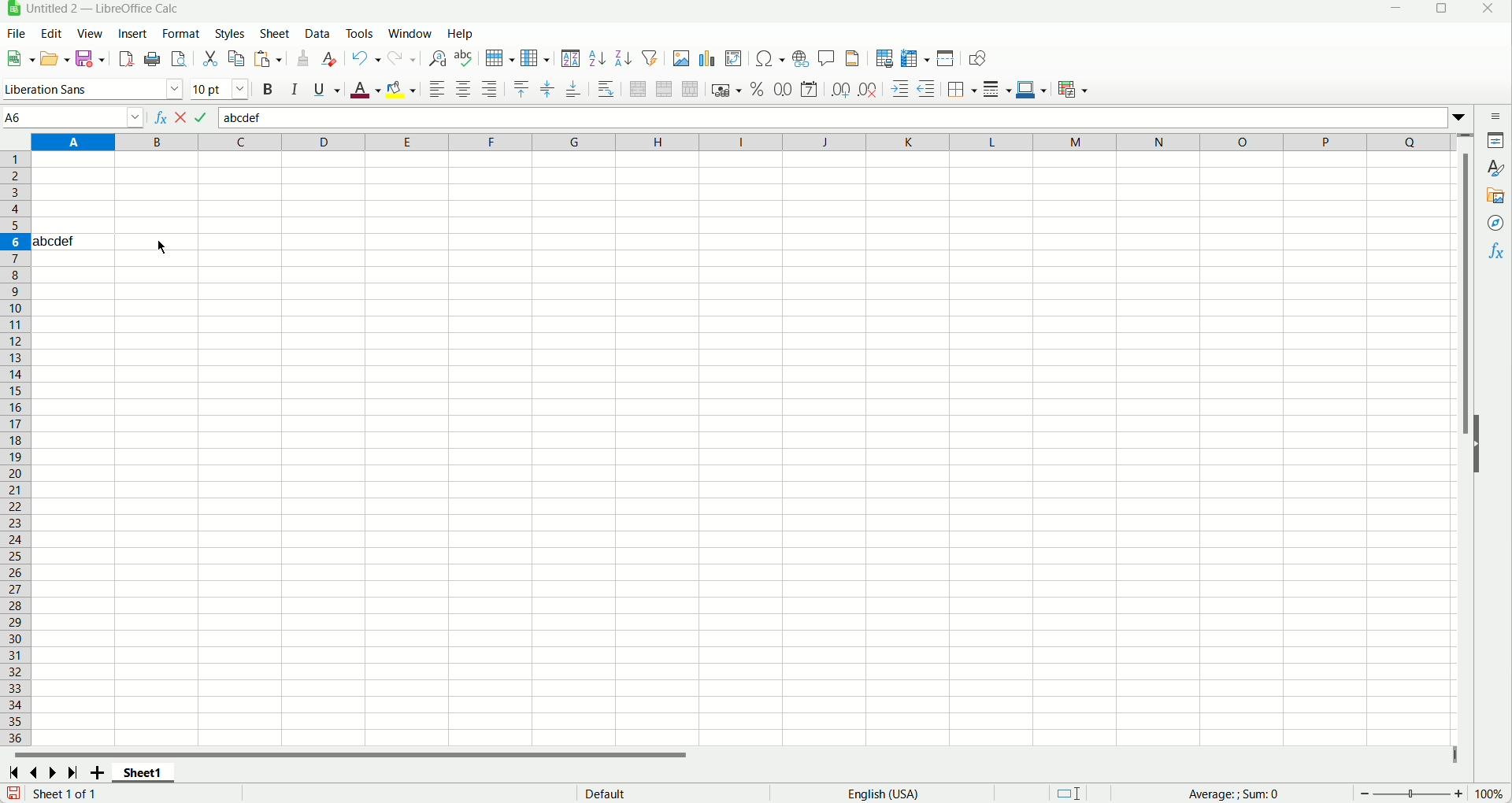 Image resolution: width=1512 pixels, height=803 pixels. What do you see at coordinates (651, 58) in the screenshot?
I see `auto filter` at bounding box center [651, 58].